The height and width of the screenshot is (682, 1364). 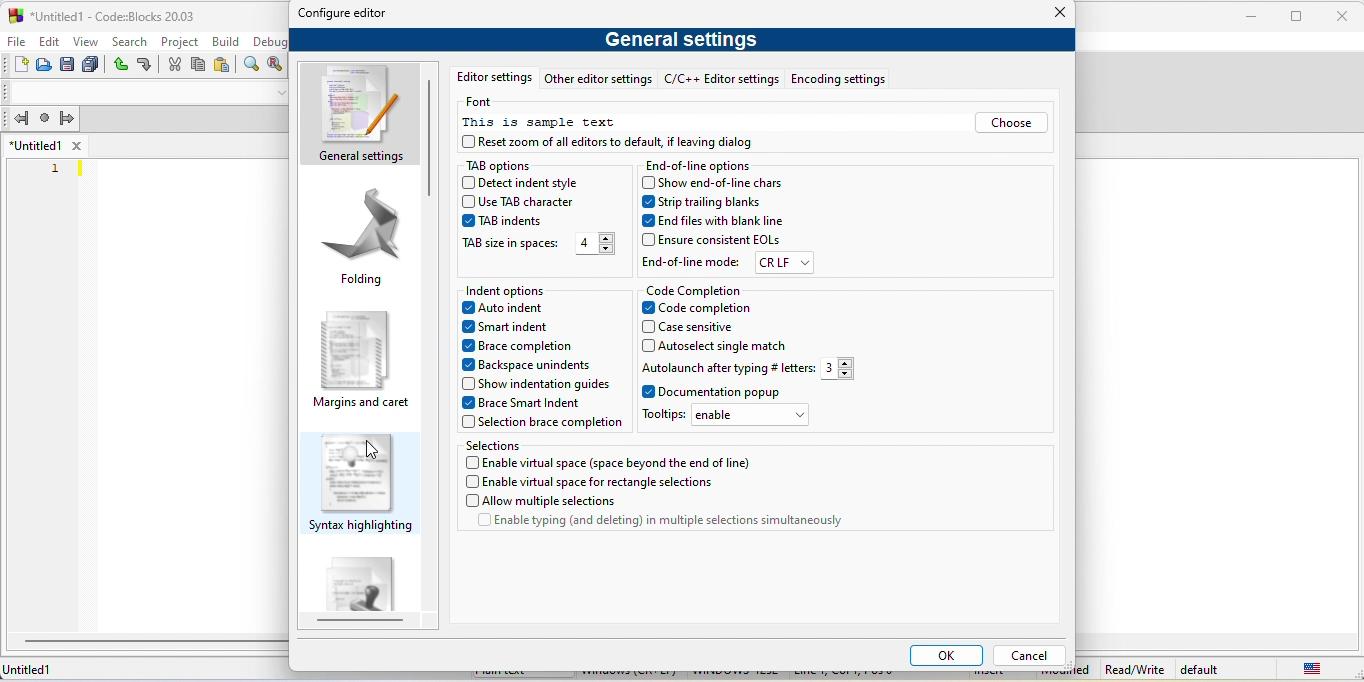 I want to click on general settings, so click(x=359, y=116).